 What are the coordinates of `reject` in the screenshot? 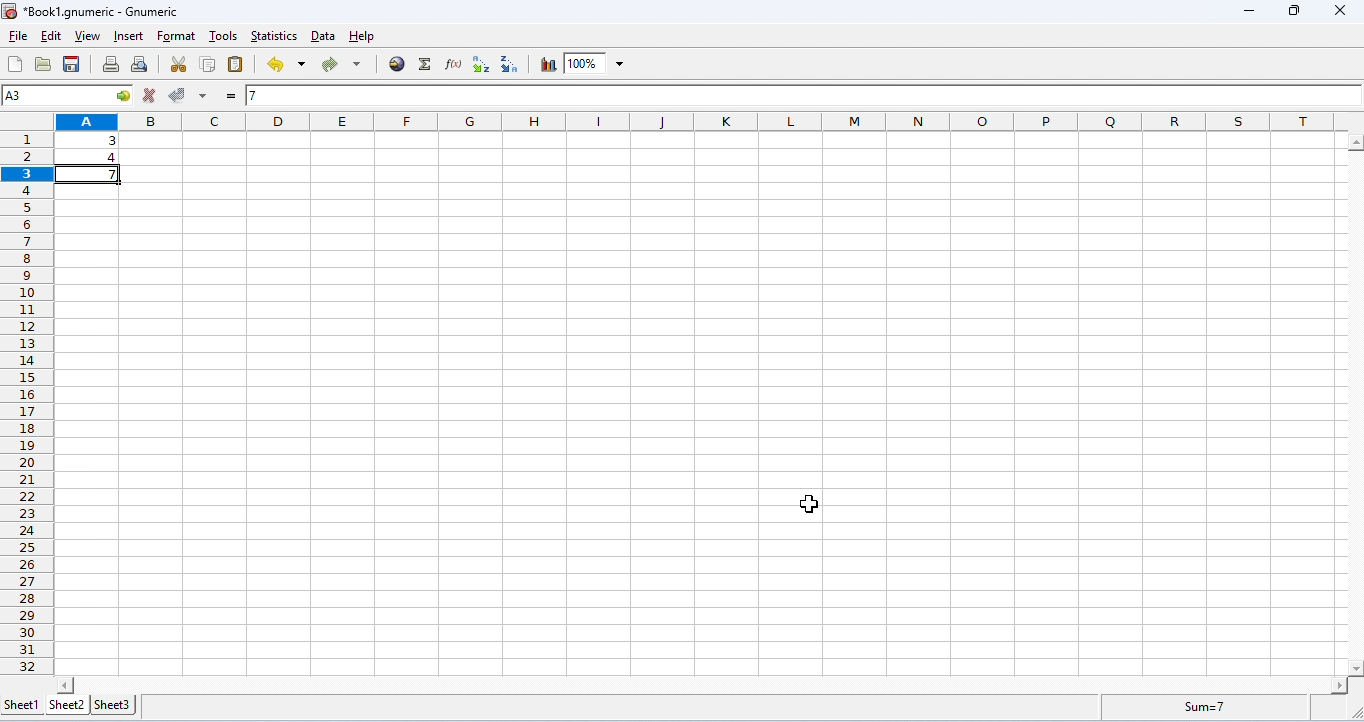 It's located at (149, 95).